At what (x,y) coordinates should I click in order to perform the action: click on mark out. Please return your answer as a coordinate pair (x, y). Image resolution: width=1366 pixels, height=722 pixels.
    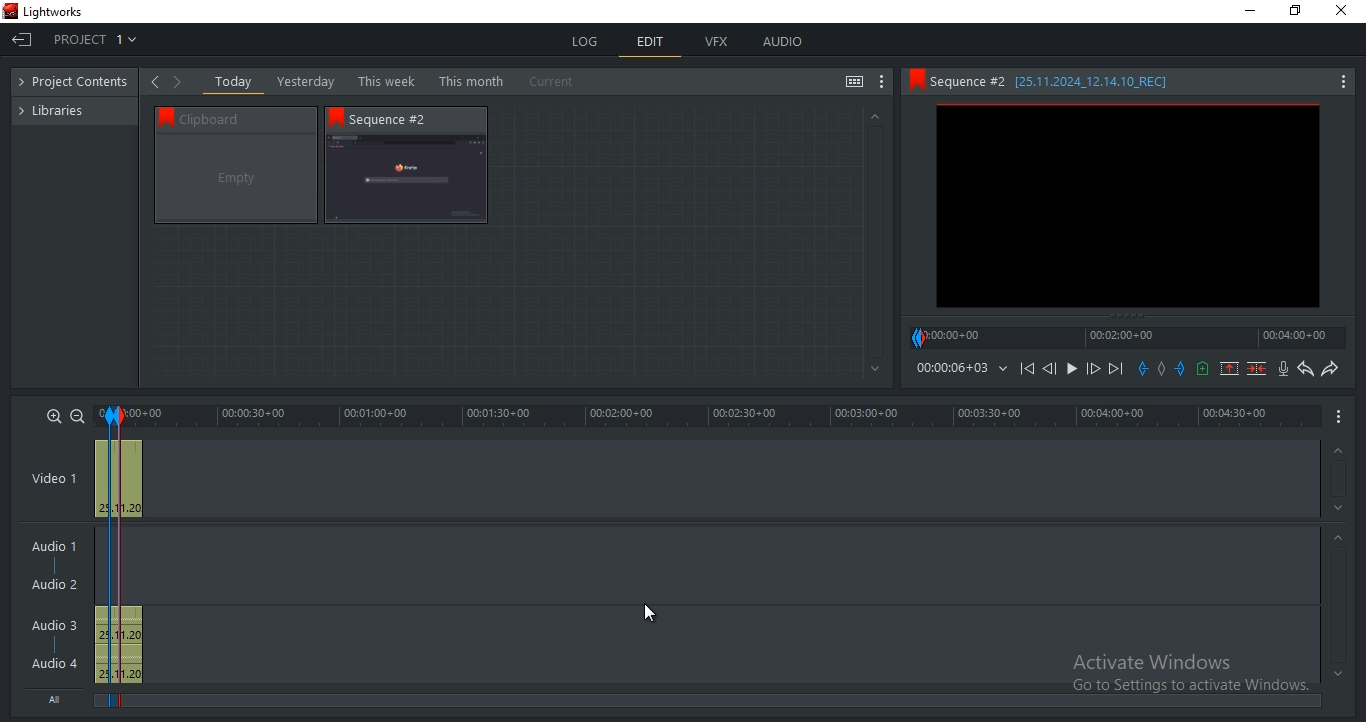
    Looking at the image, I should click on (1182, 368).